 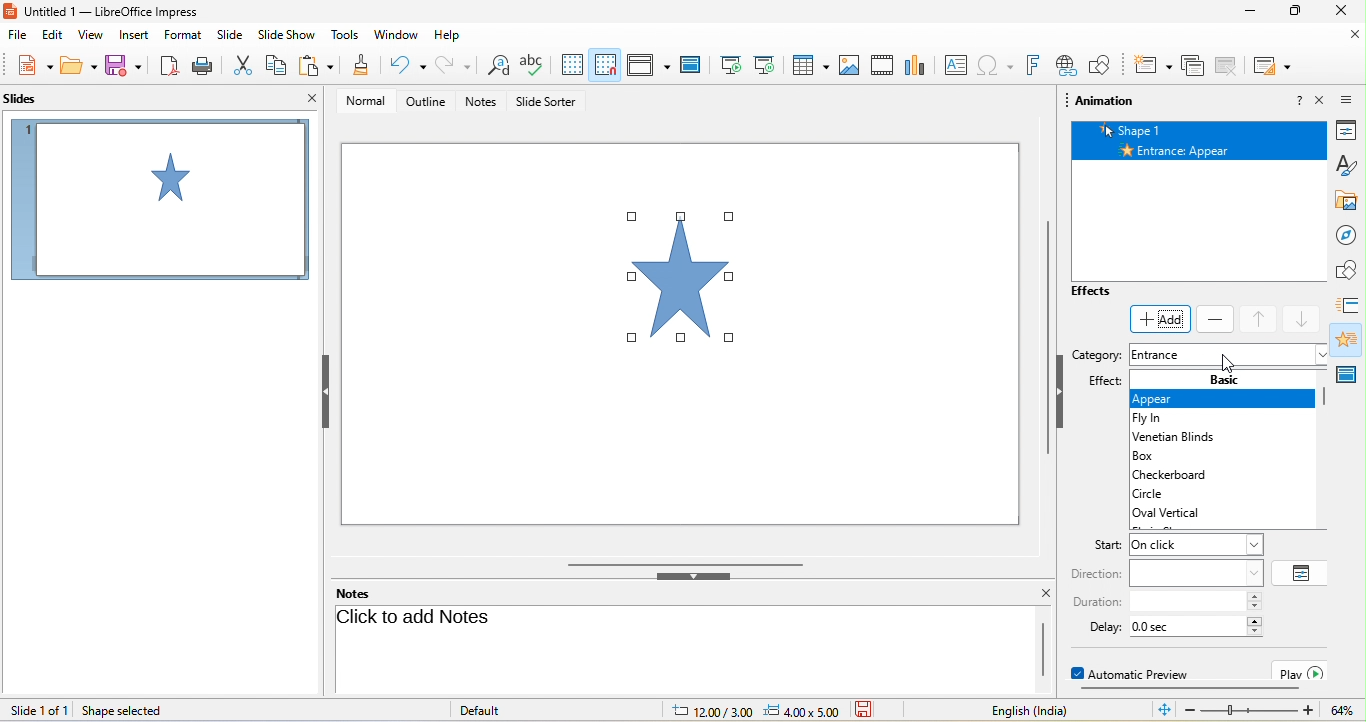 I want to click on paste, so click(x=317, y=65).